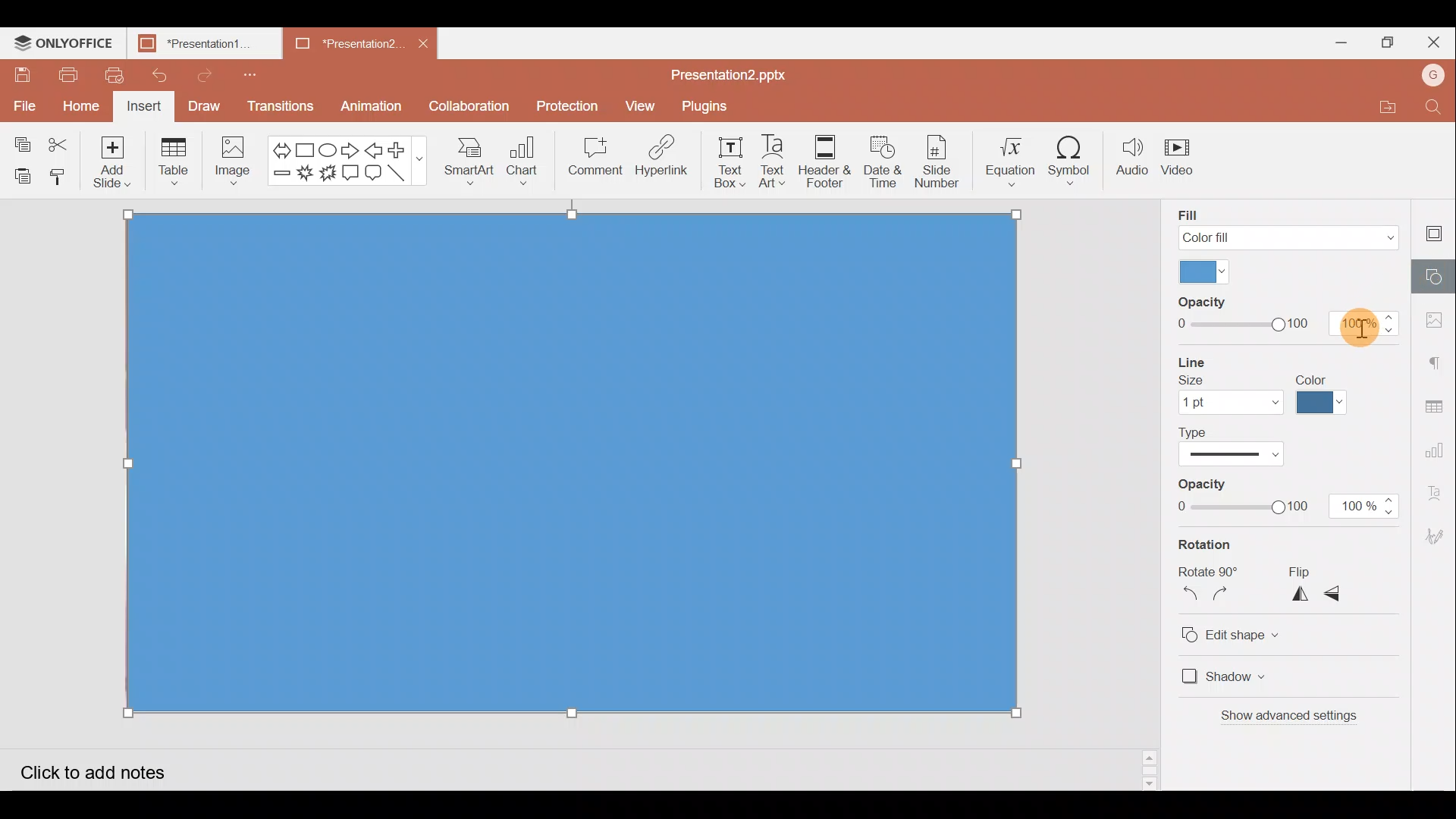 This screenshot has width=1456, height=819. Describe the element at coordinates (205, 108) in the screenshot. I see `Draw` at that location.